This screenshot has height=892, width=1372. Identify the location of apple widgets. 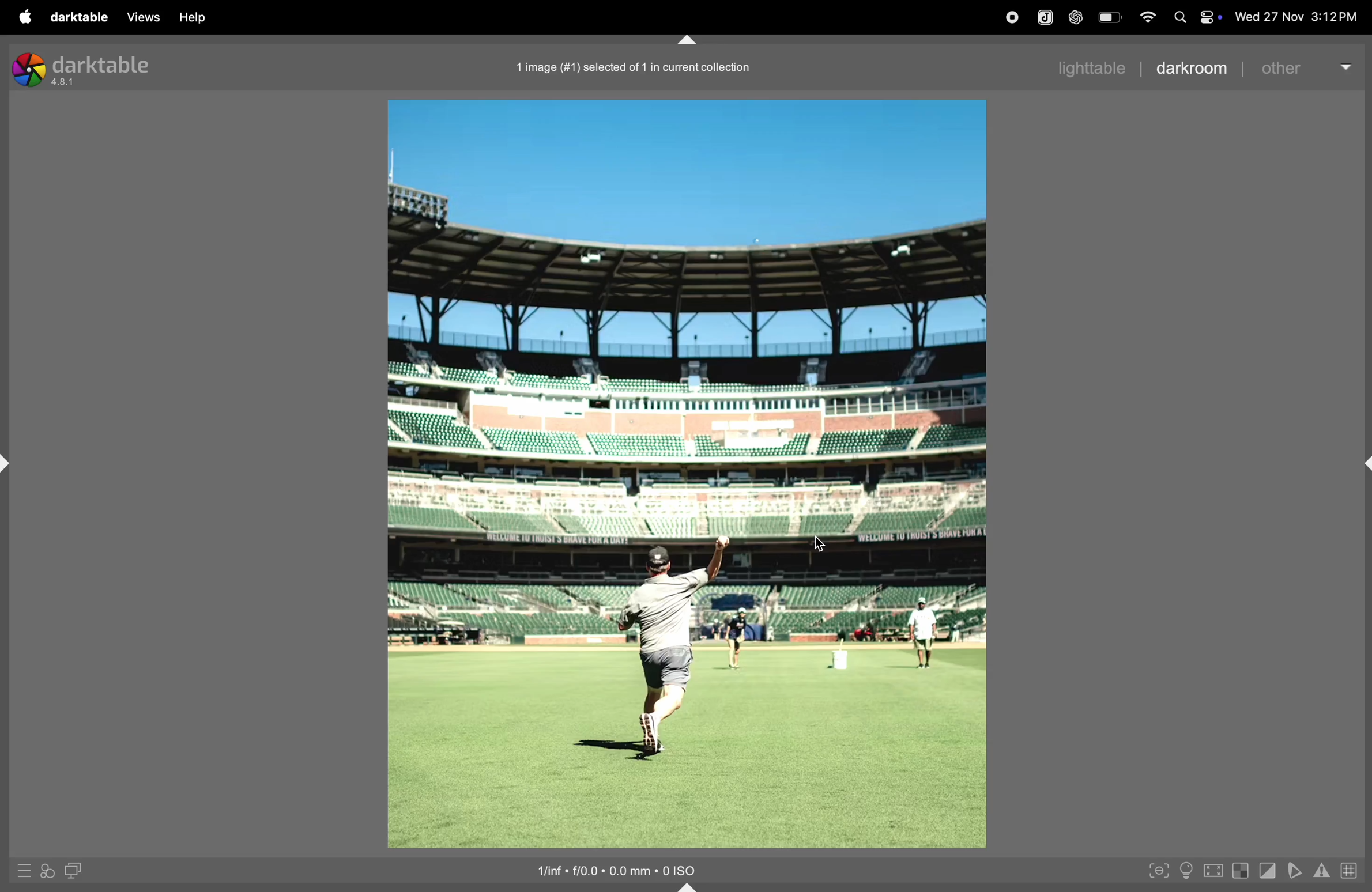
(1196, 16).